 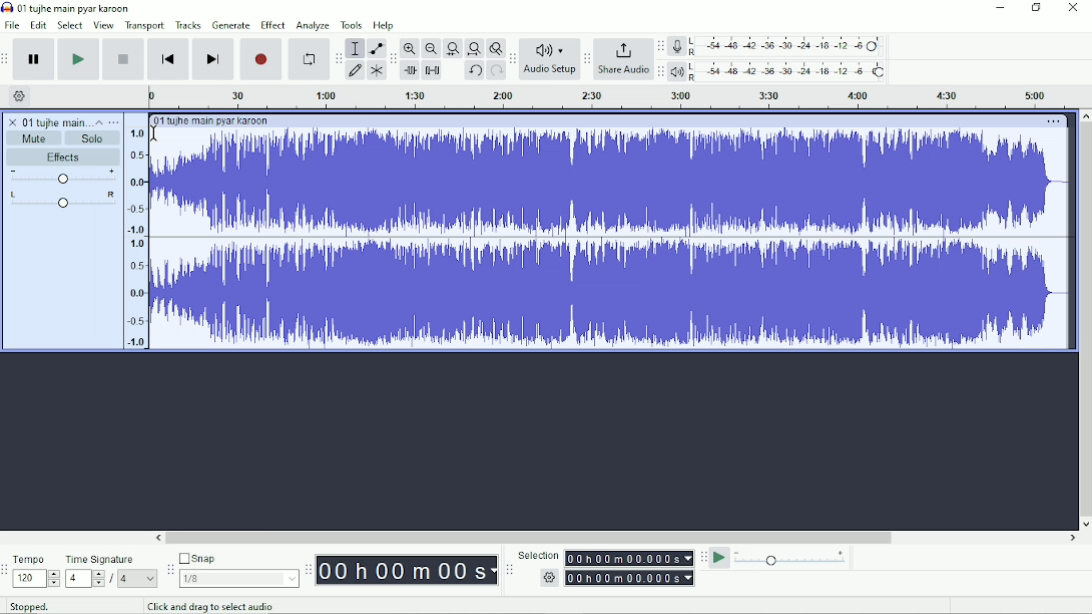 I want to click on 00 h 00 m 00.00s, so click(x=630, y=558).